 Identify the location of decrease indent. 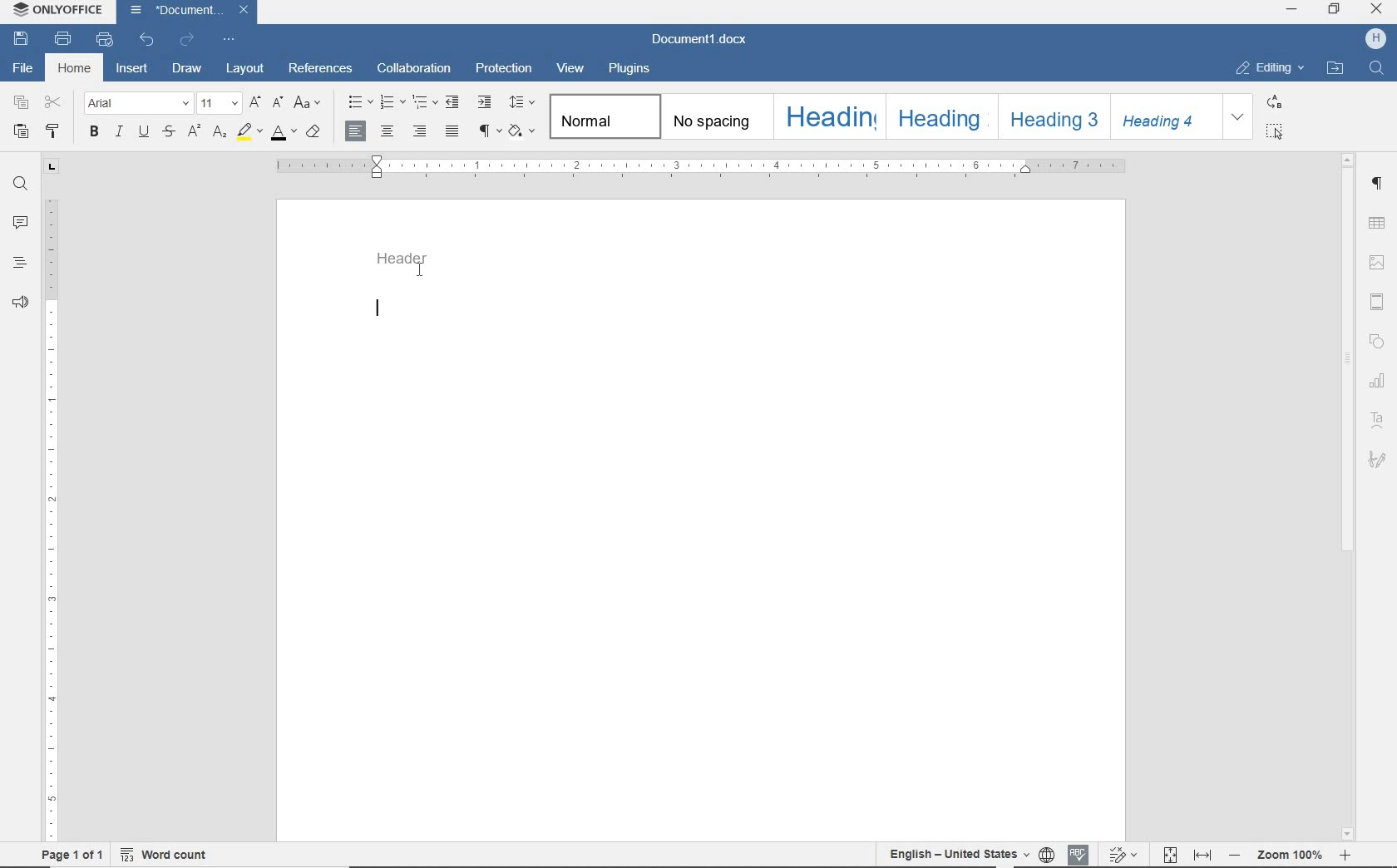
(454, 101).